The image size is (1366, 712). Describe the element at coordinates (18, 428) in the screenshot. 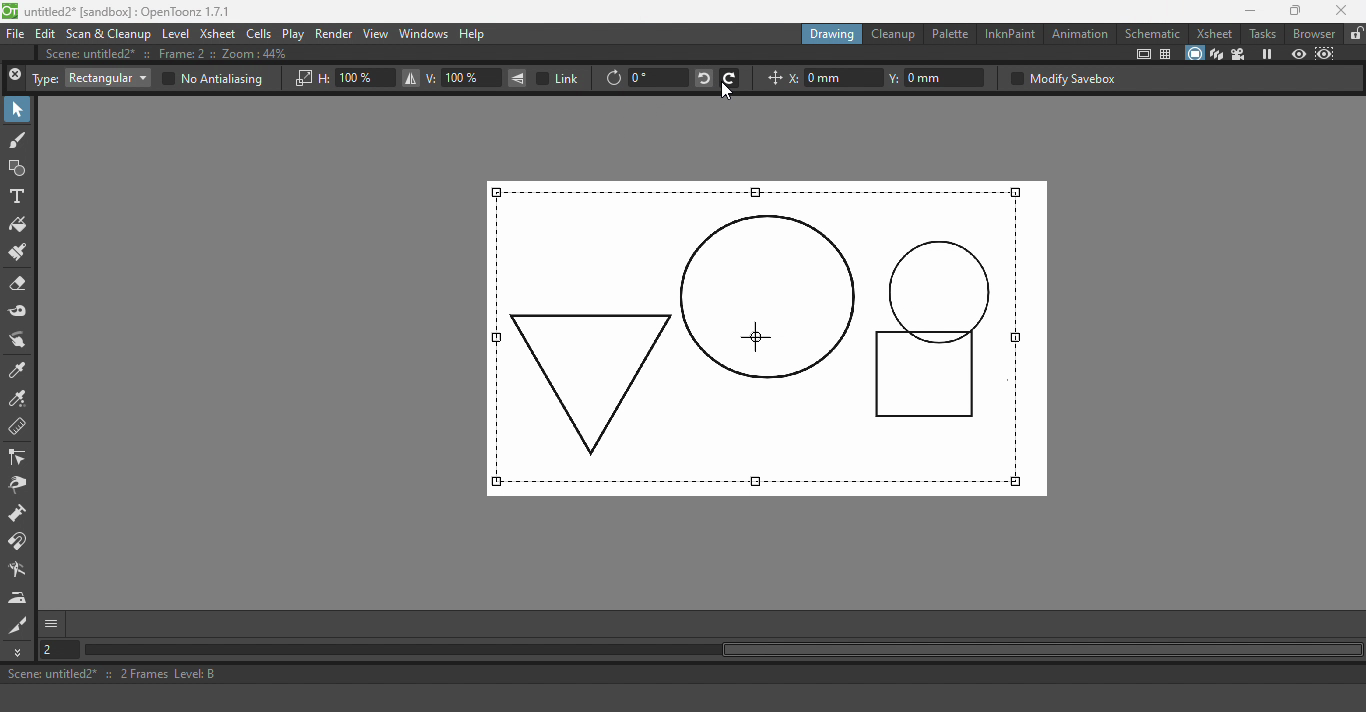

I see `Ruler tool` at that location.